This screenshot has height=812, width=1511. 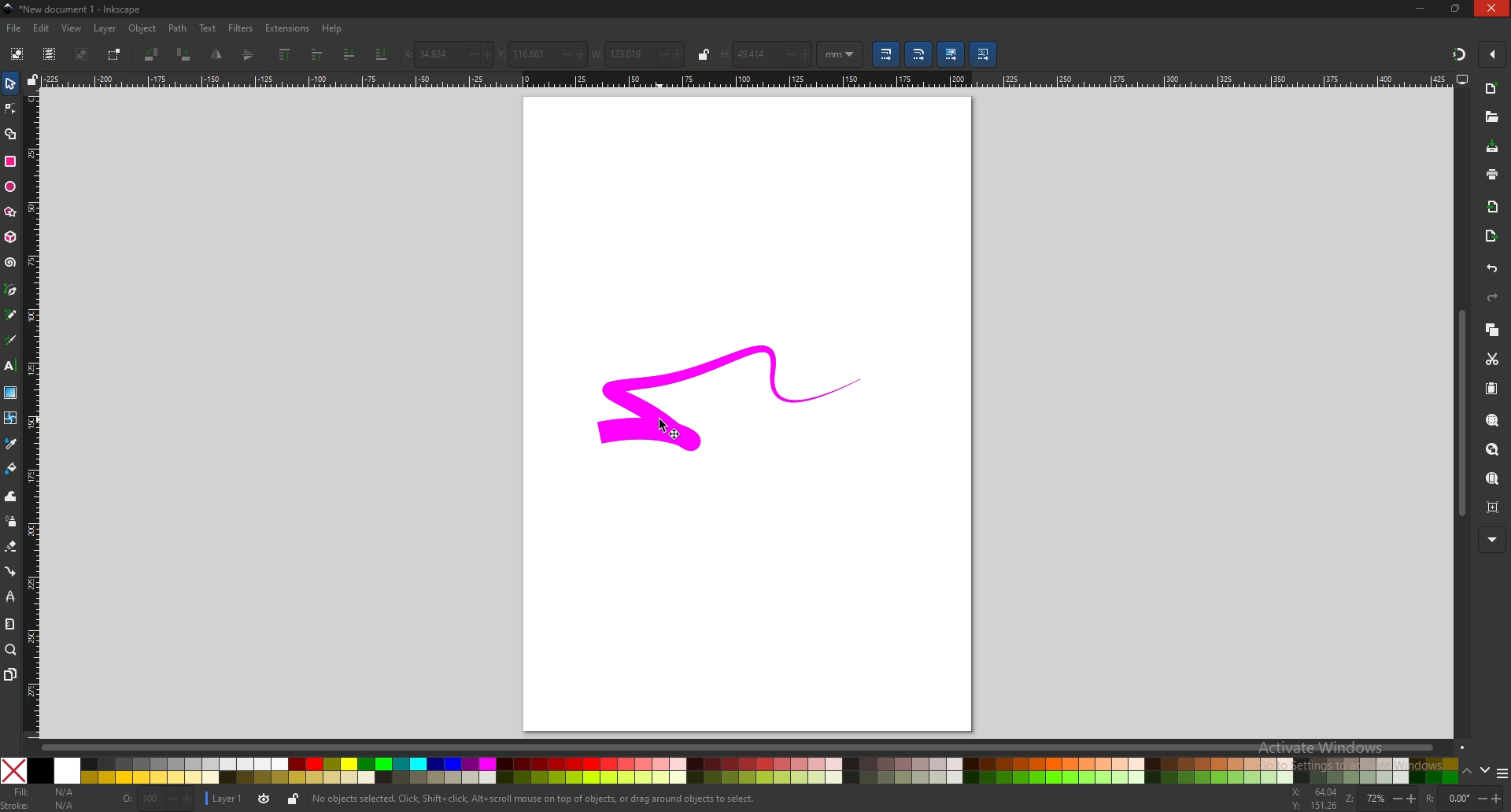 I want to click on scroll bar, so click(x=753, y=747).